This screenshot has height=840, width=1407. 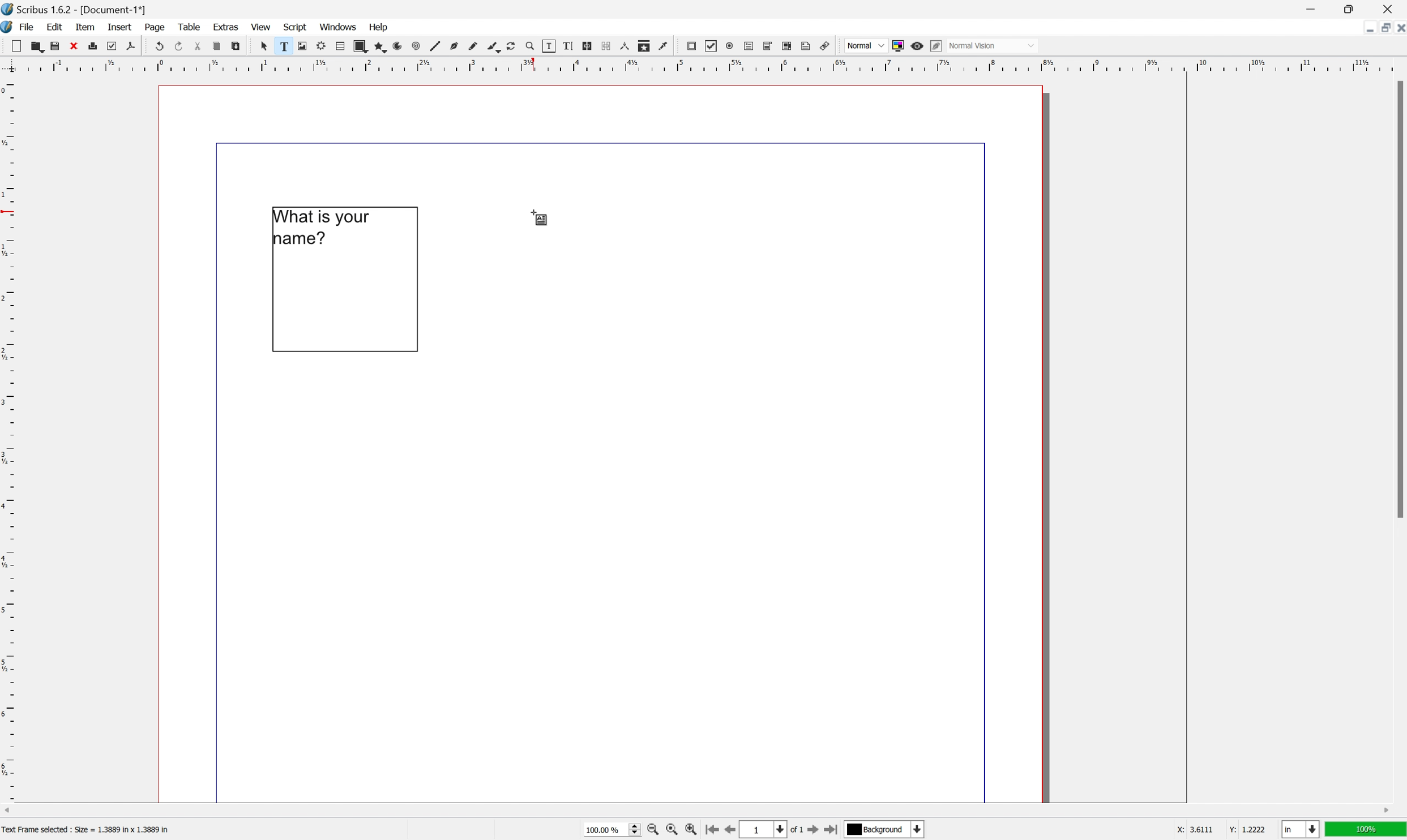 I want to click on link text frames, so click(x=587, y=45).